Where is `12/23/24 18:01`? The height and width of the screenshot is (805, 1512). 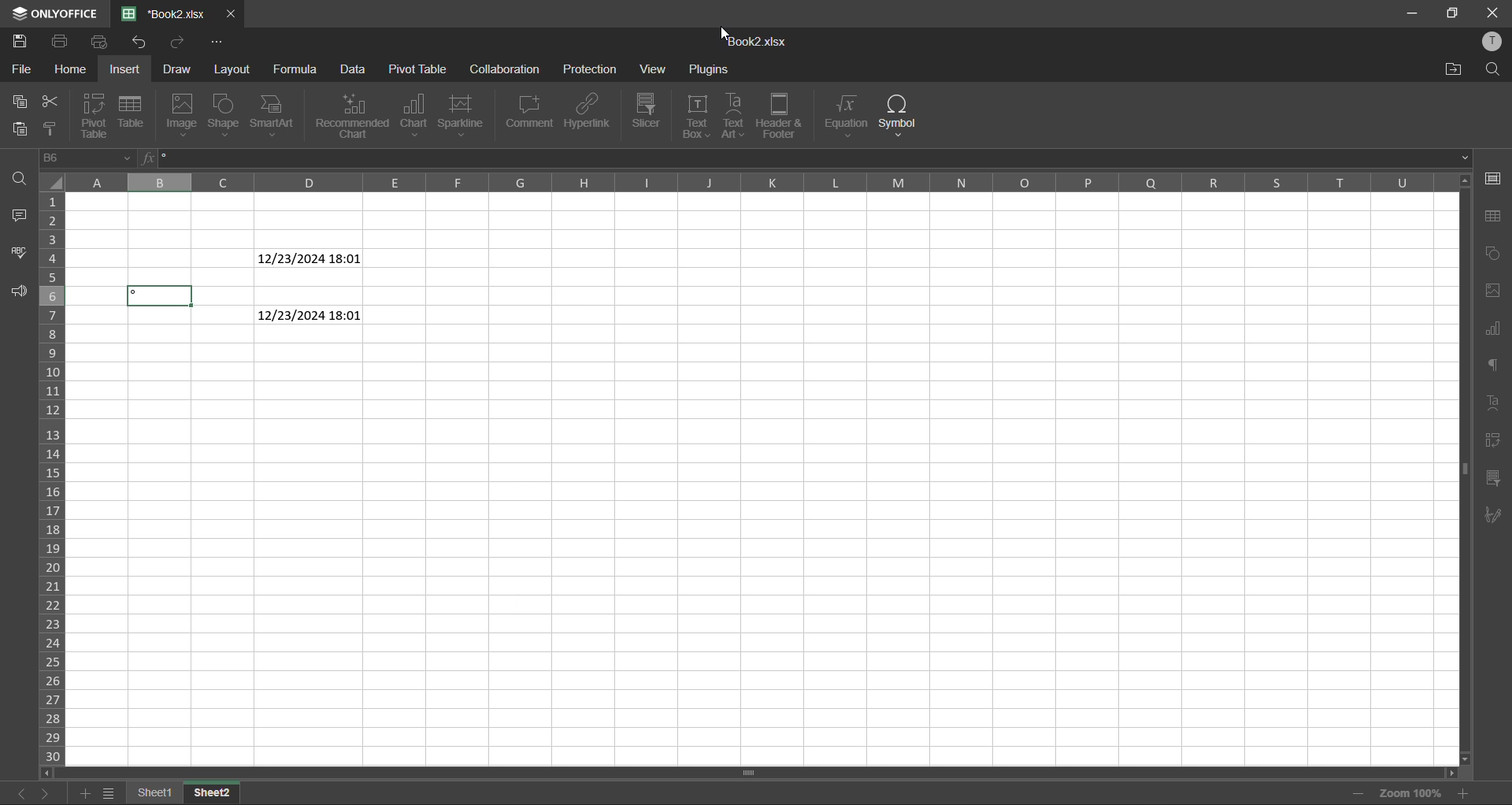 12/23/24 18:01 is located at coordinates (310, 258).